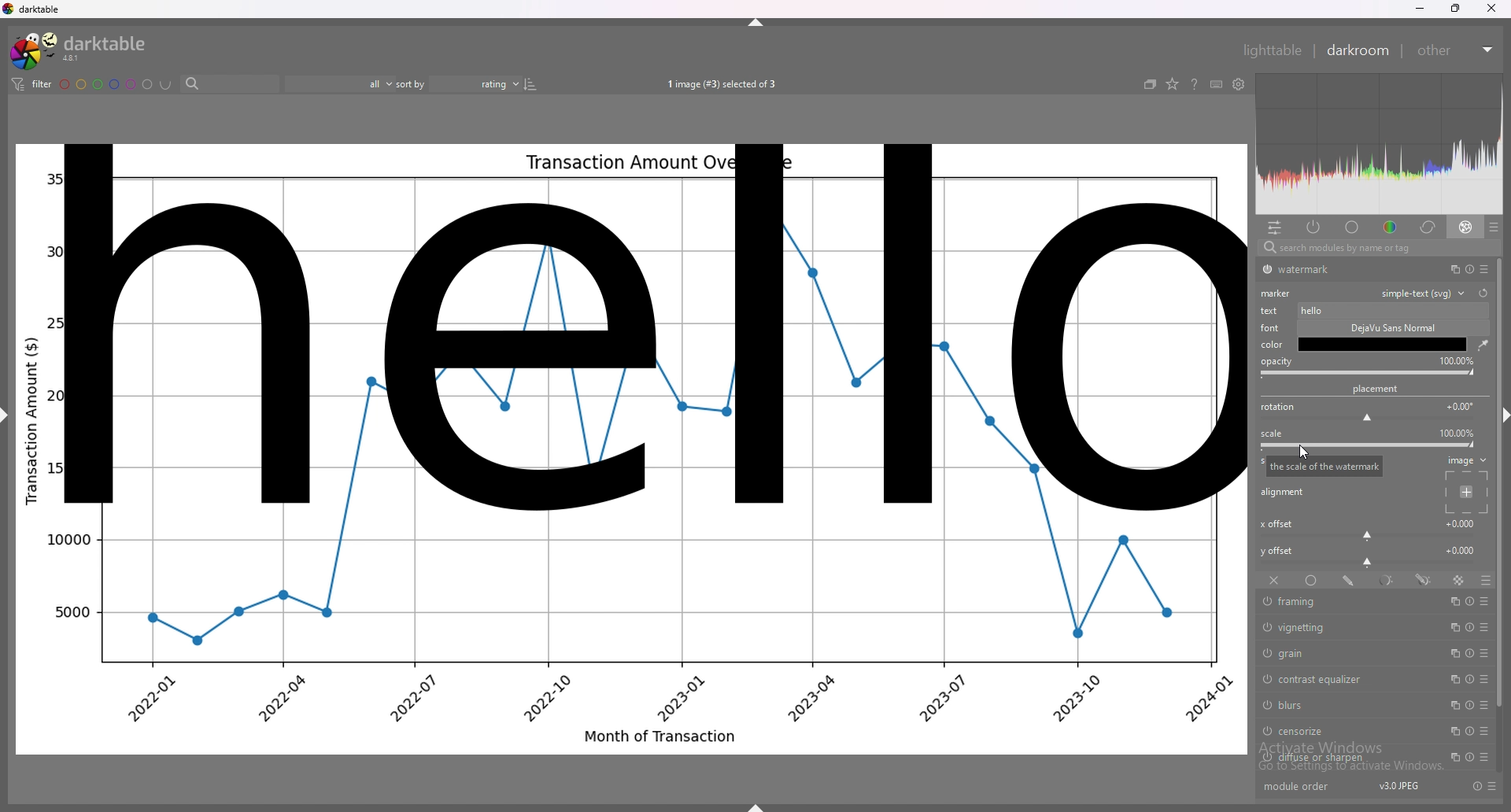 This screenshot has width=1511, height=812. Describe the element at coordinates (1467, 680) in the screenshot. I see `reset` at that location.